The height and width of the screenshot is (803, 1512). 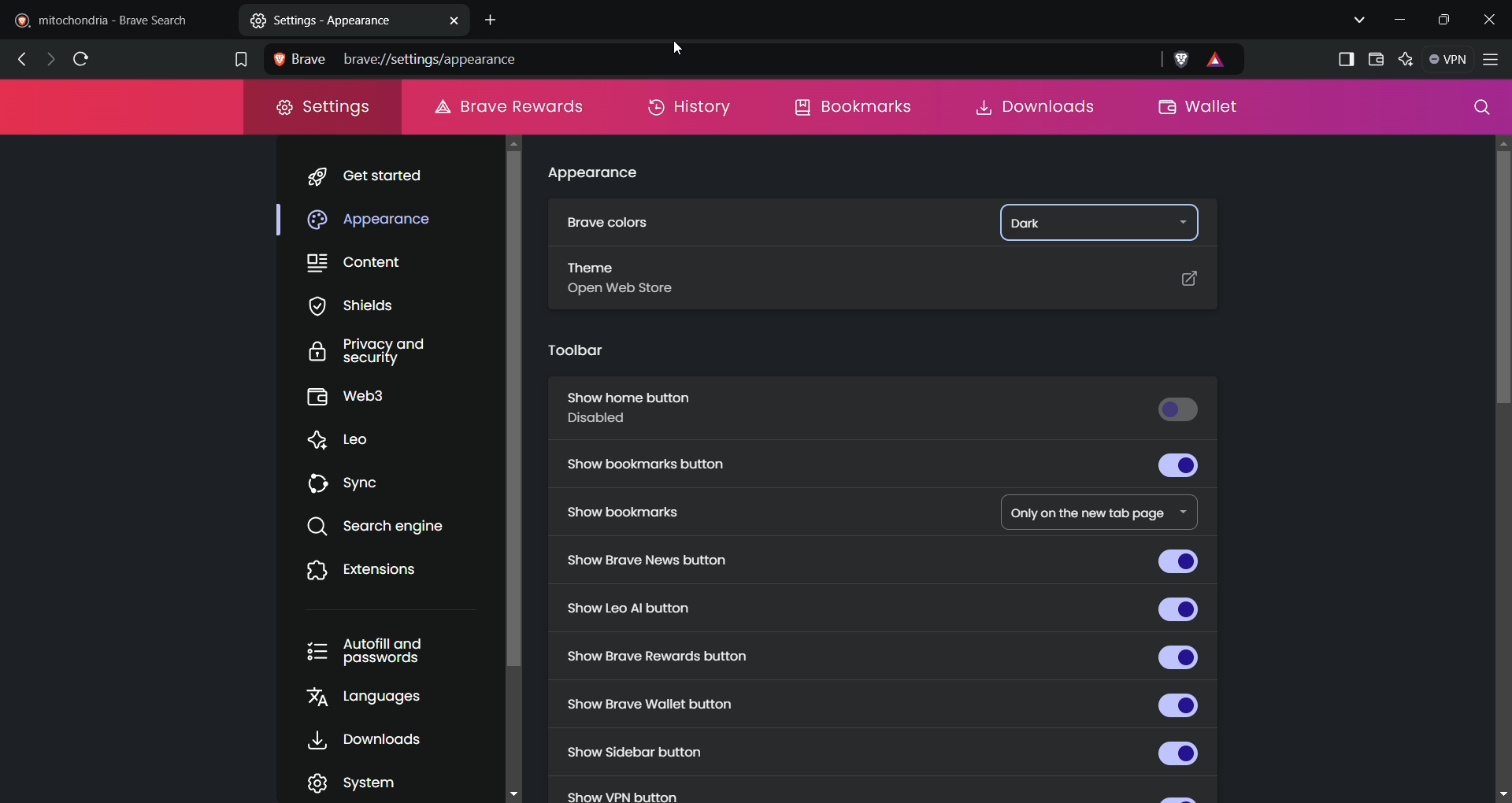 What do you see at coordinates (887, 704) in the screenshot?
I see `show brave wallet button` at bounding box center [887, 704].